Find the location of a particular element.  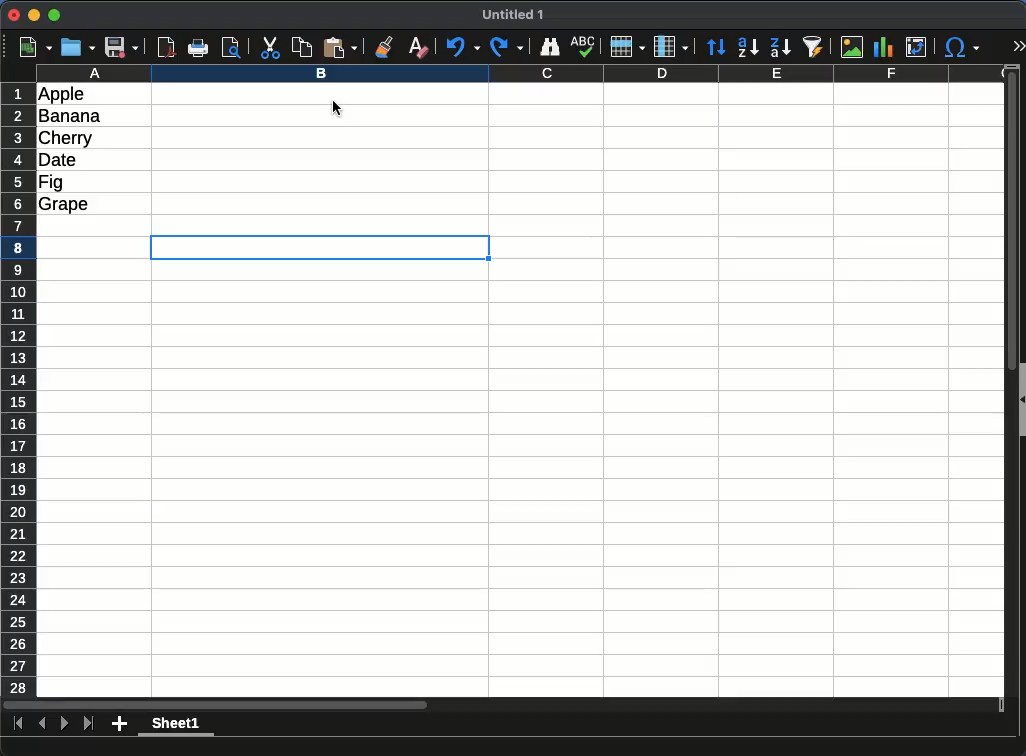

row is located at coordinates (628, 47).